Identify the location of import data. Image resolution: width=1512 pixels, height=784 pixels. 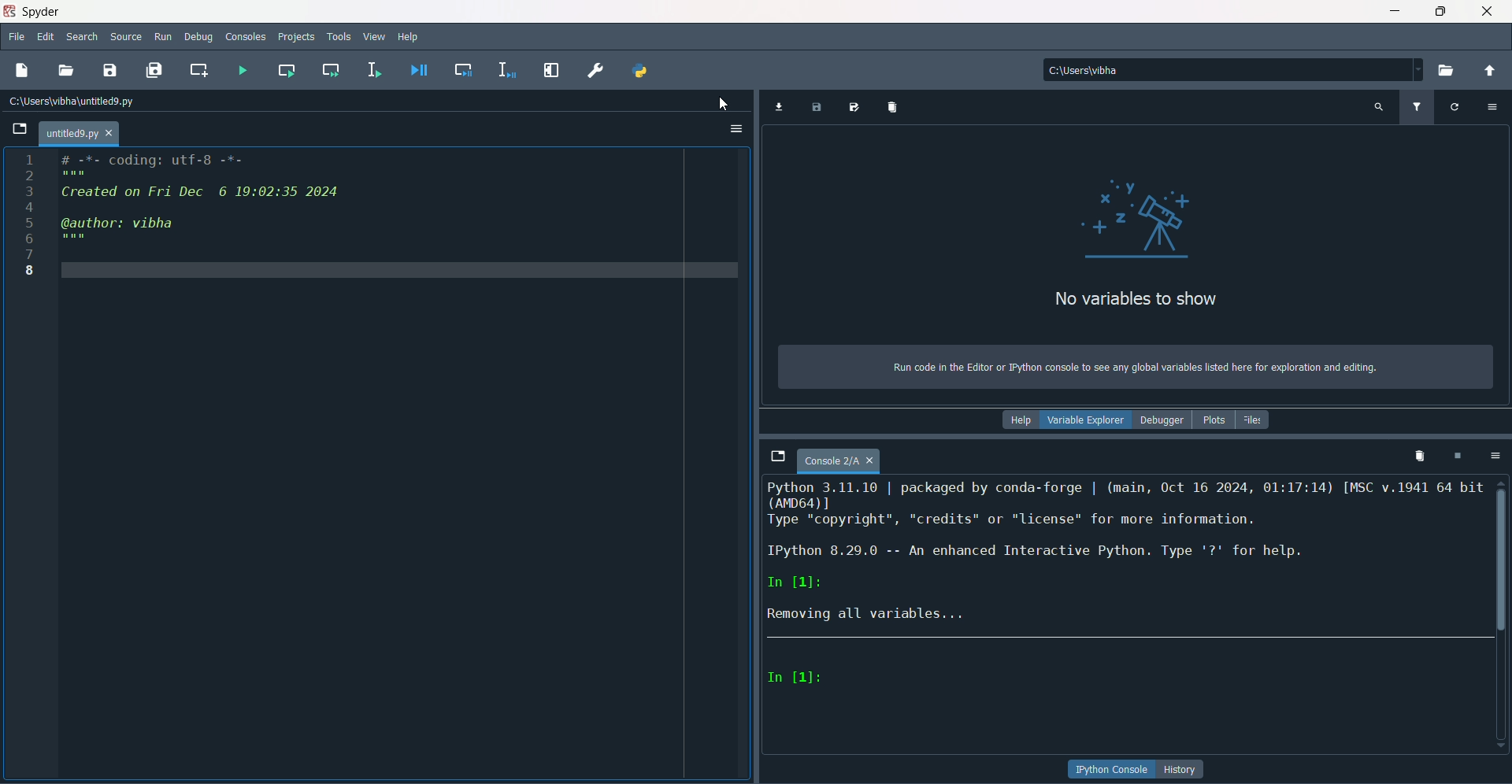
(777, 108).